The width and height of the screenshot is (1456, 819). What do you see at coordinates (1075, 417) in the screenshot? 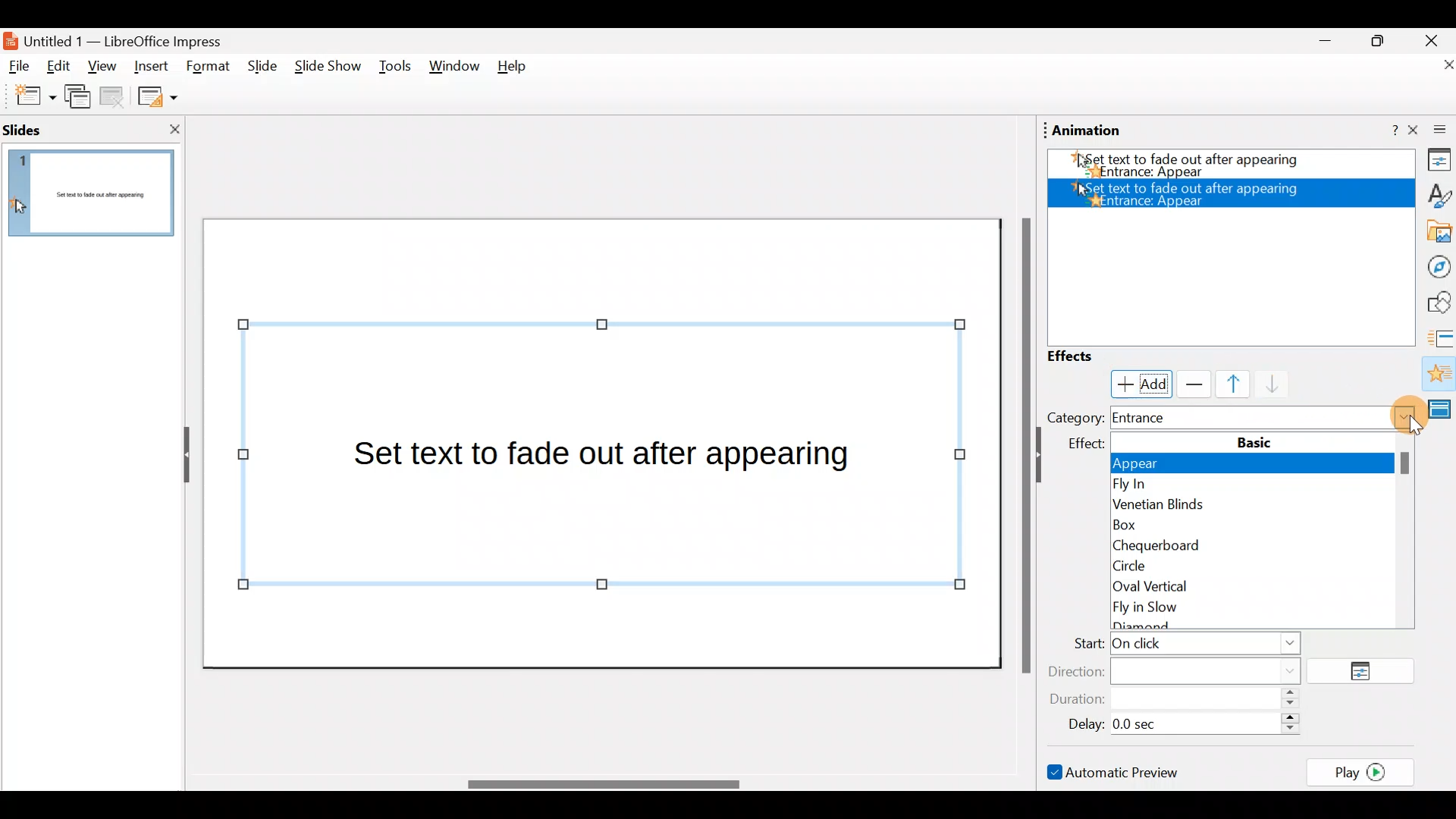
I see `Category` at bounding box center [1075, 417].